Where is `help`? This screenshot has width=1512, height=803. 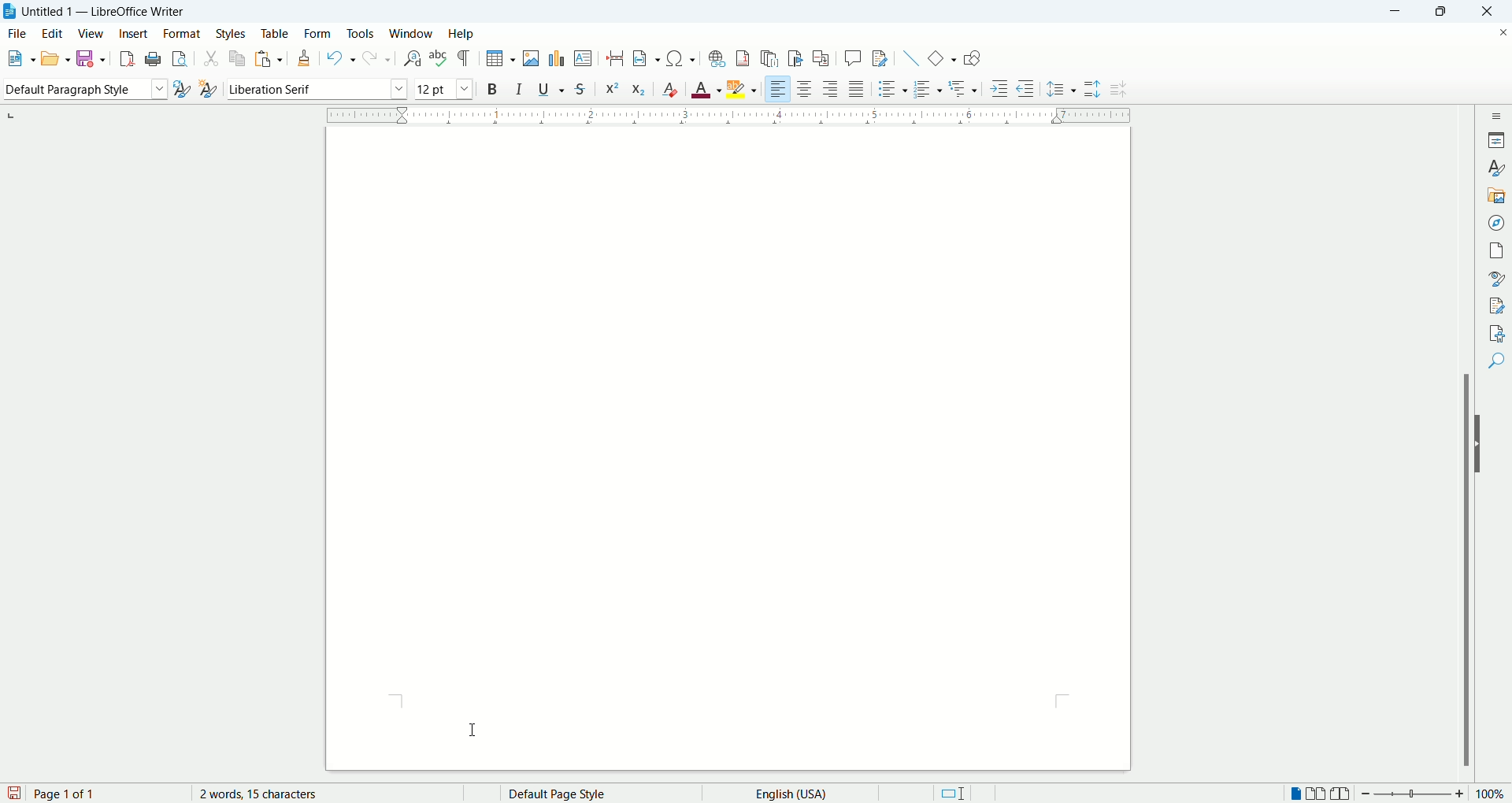 help is located at coordinates (461, 34).